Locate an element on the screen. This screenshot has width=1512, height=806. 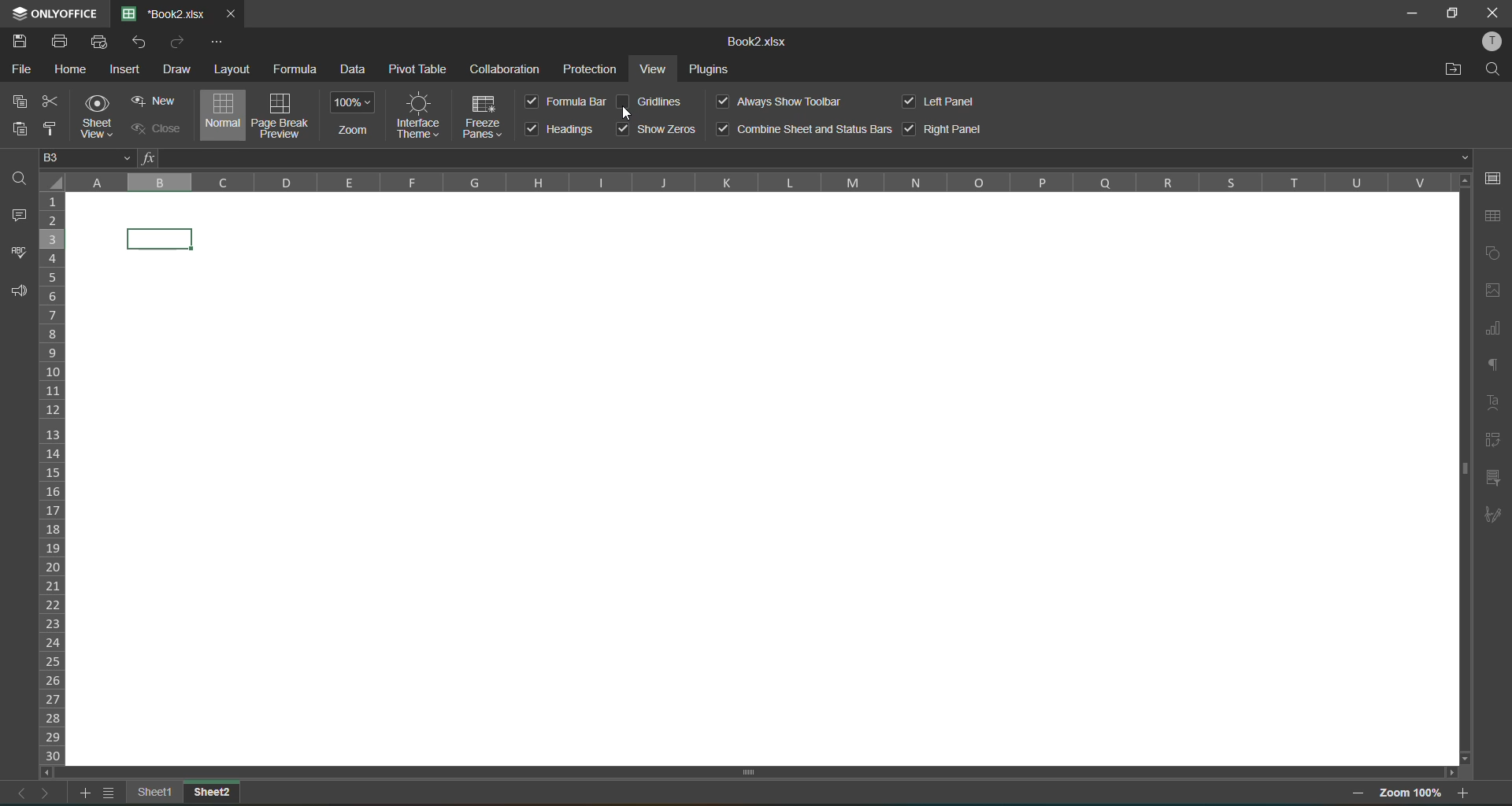
freeze panes is located at coordinates (484, 120).